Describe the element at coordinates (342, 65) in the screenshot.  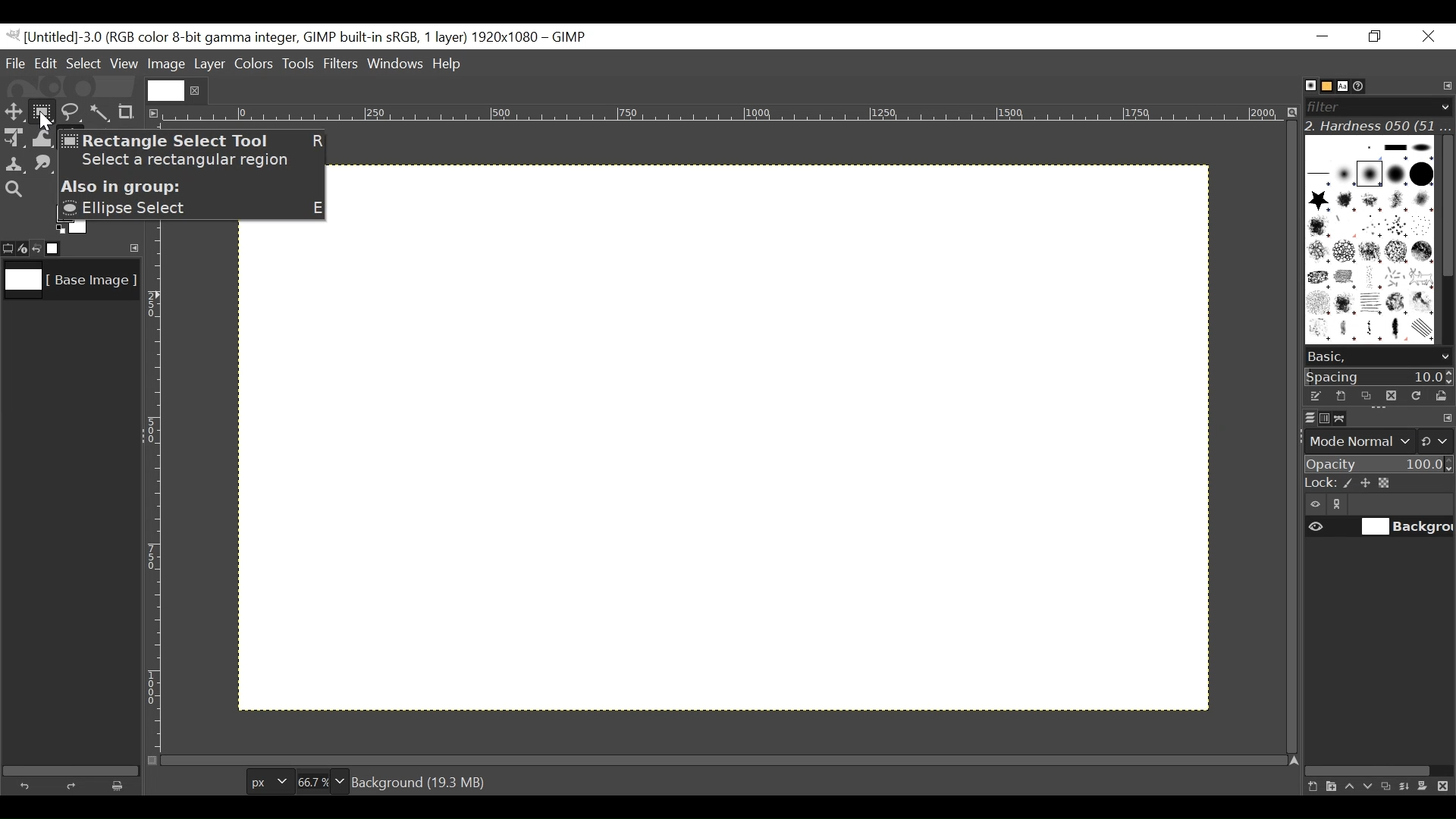
I see `Filters` at that location.